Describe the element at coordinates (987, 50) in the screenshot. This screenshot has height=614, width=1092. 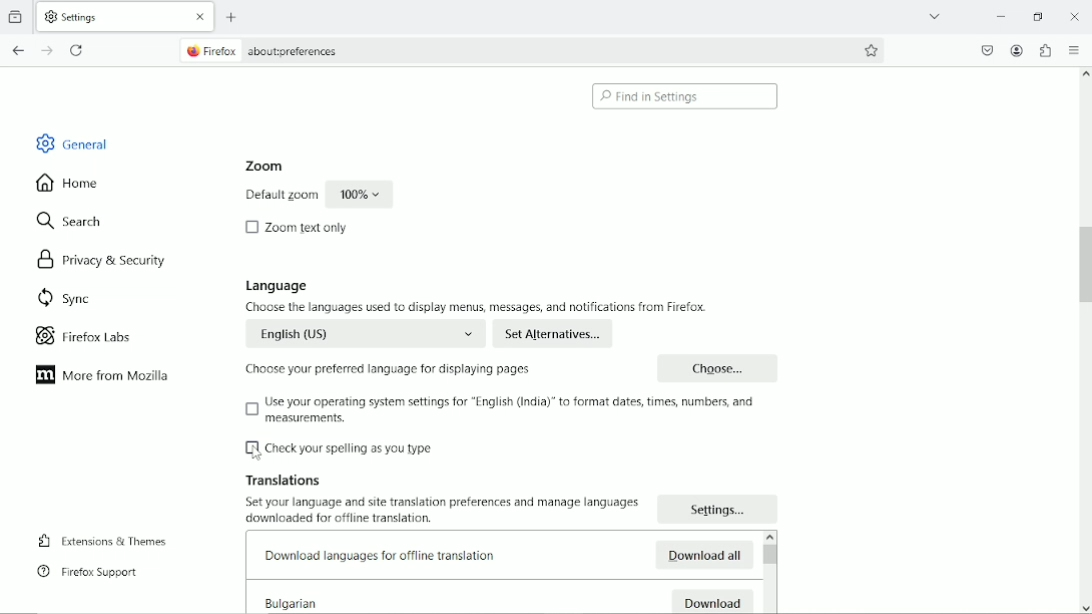
I see `Save to pocket` at that location.